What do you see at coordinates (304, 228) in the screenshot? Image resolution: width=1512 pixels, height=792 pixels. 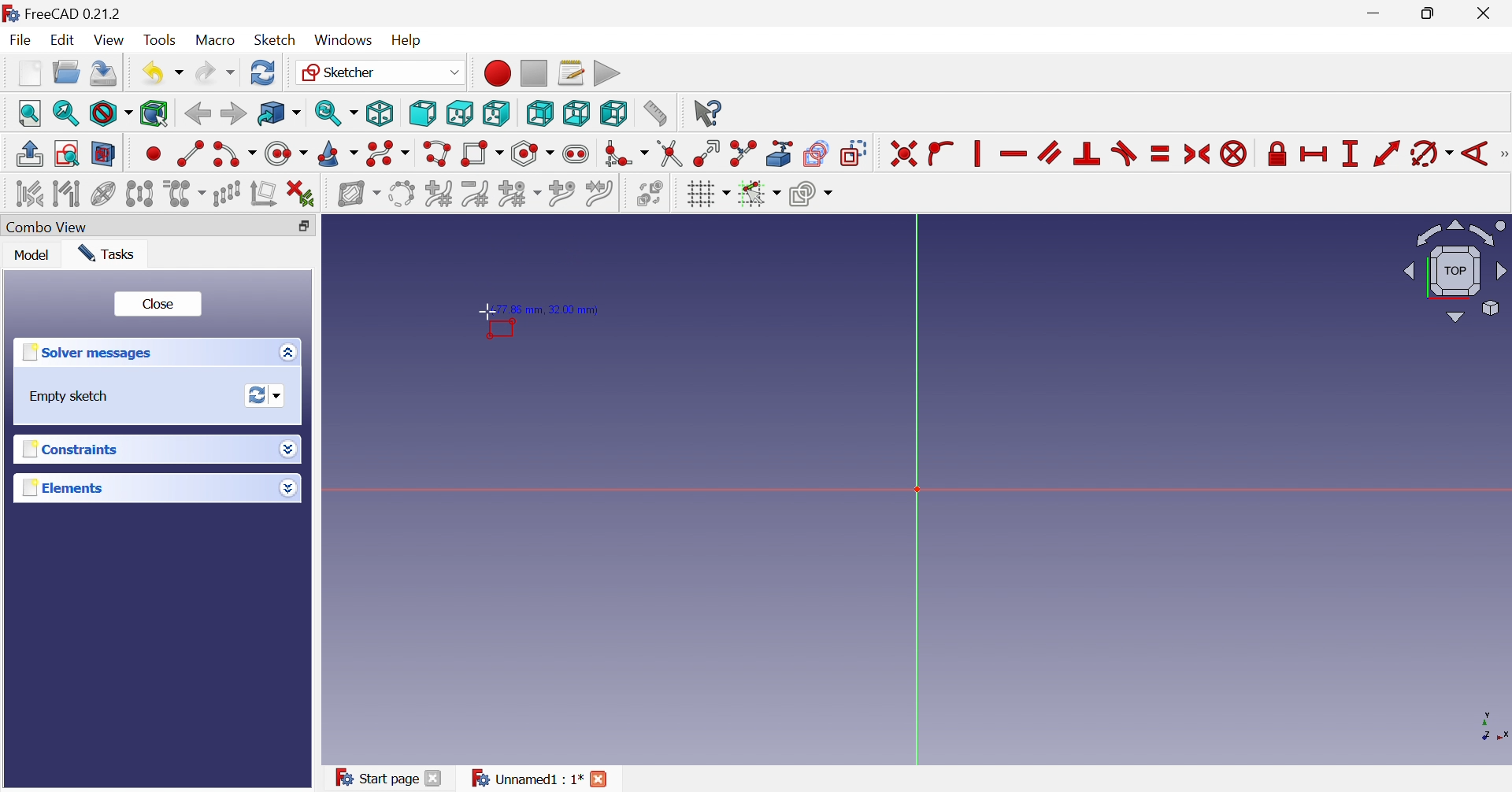 I see `Restore down` at bounding box center [304, 228].